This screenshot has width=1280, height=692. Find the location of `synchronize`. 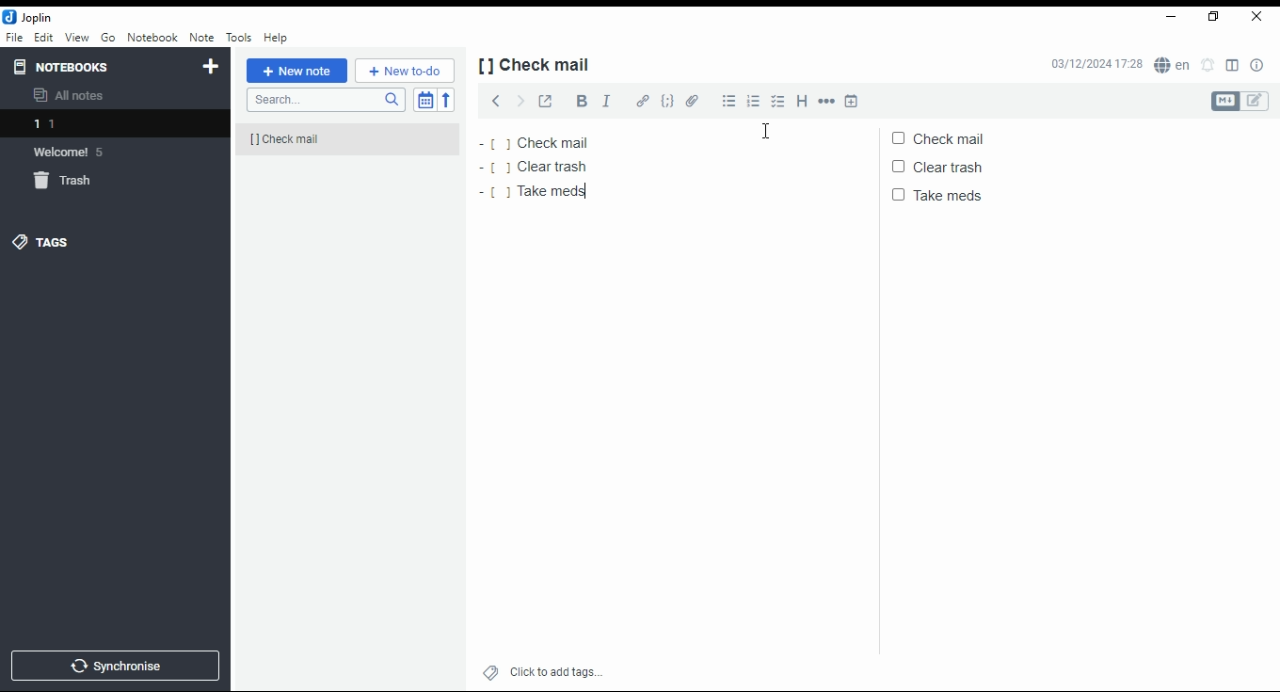

synchronize is located at coordinates (116, 666).